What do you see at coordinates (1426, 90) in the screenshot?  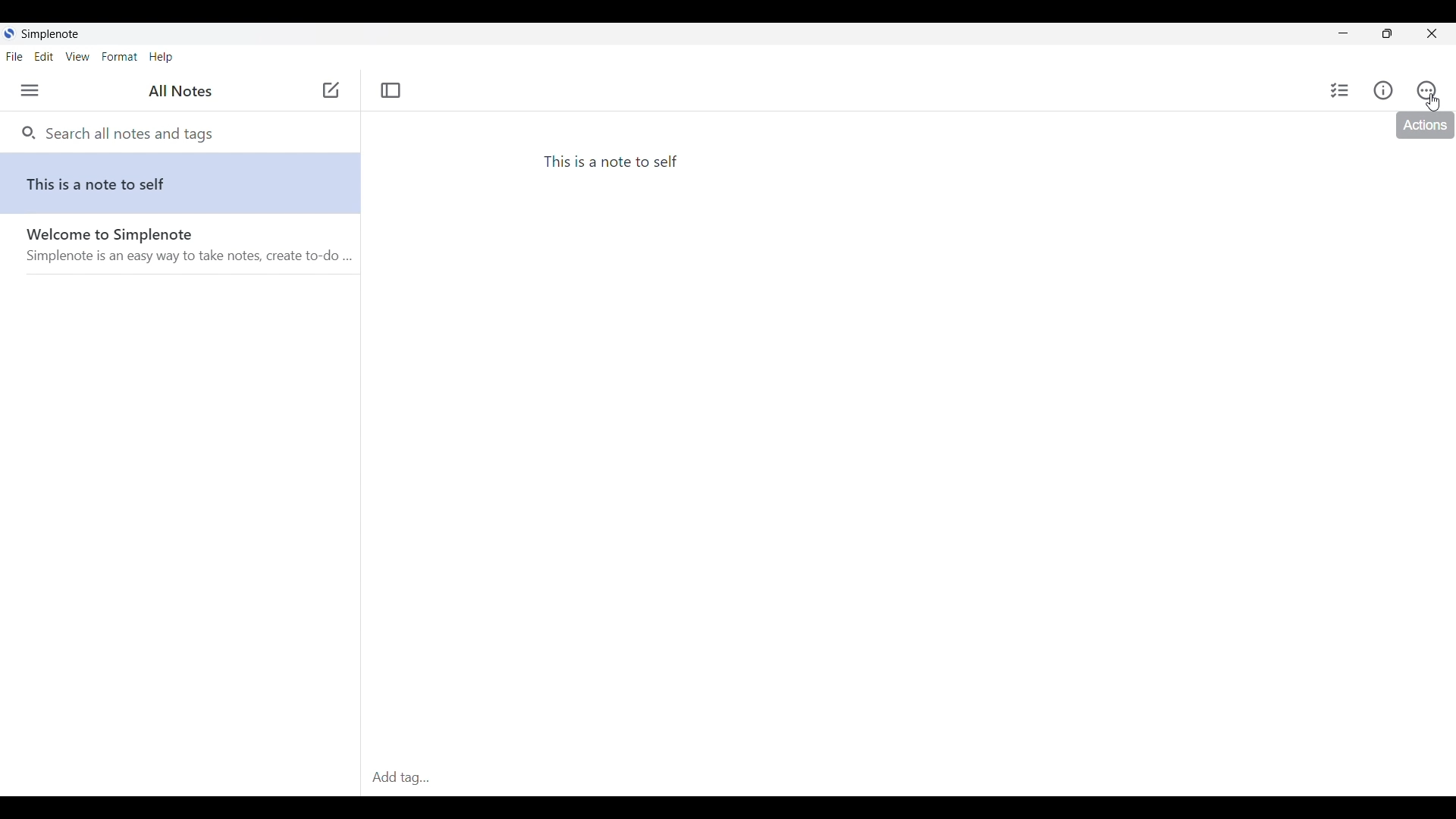 I see `Actions` at bounding box center [1426, 90].